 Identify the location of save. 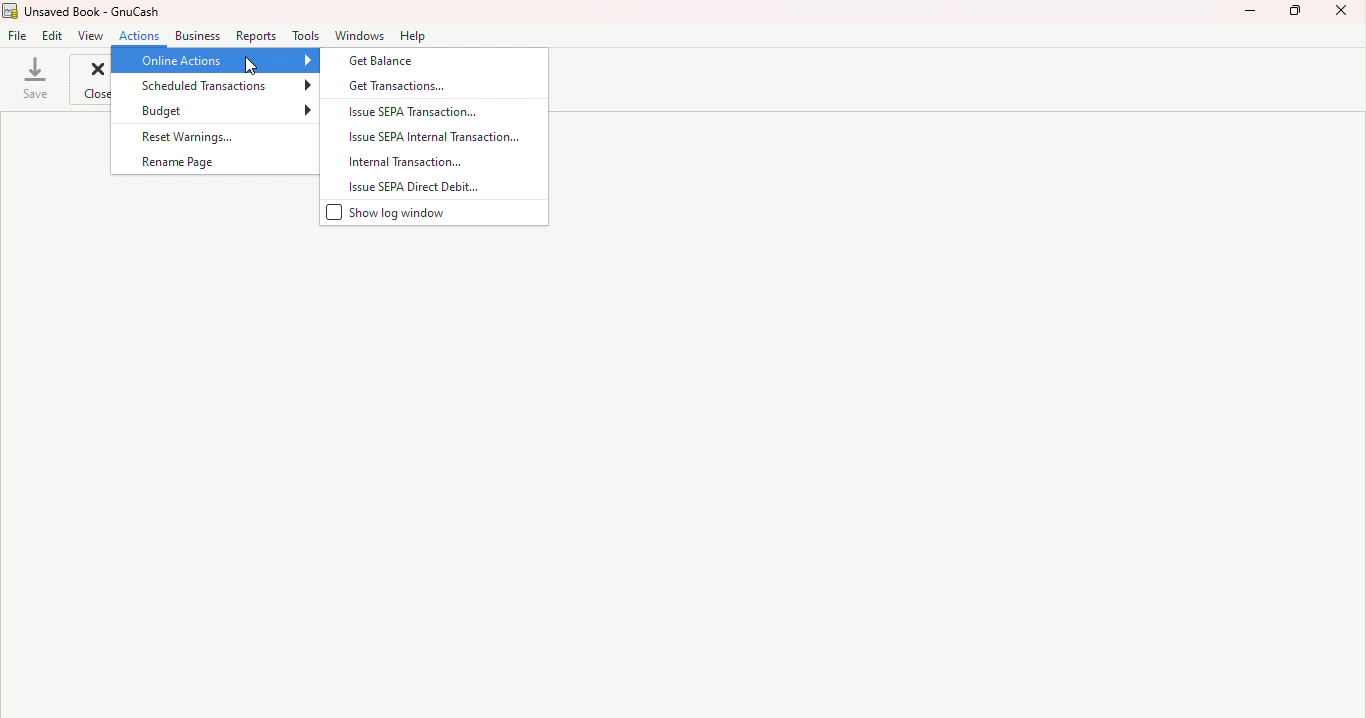
(36, 78).